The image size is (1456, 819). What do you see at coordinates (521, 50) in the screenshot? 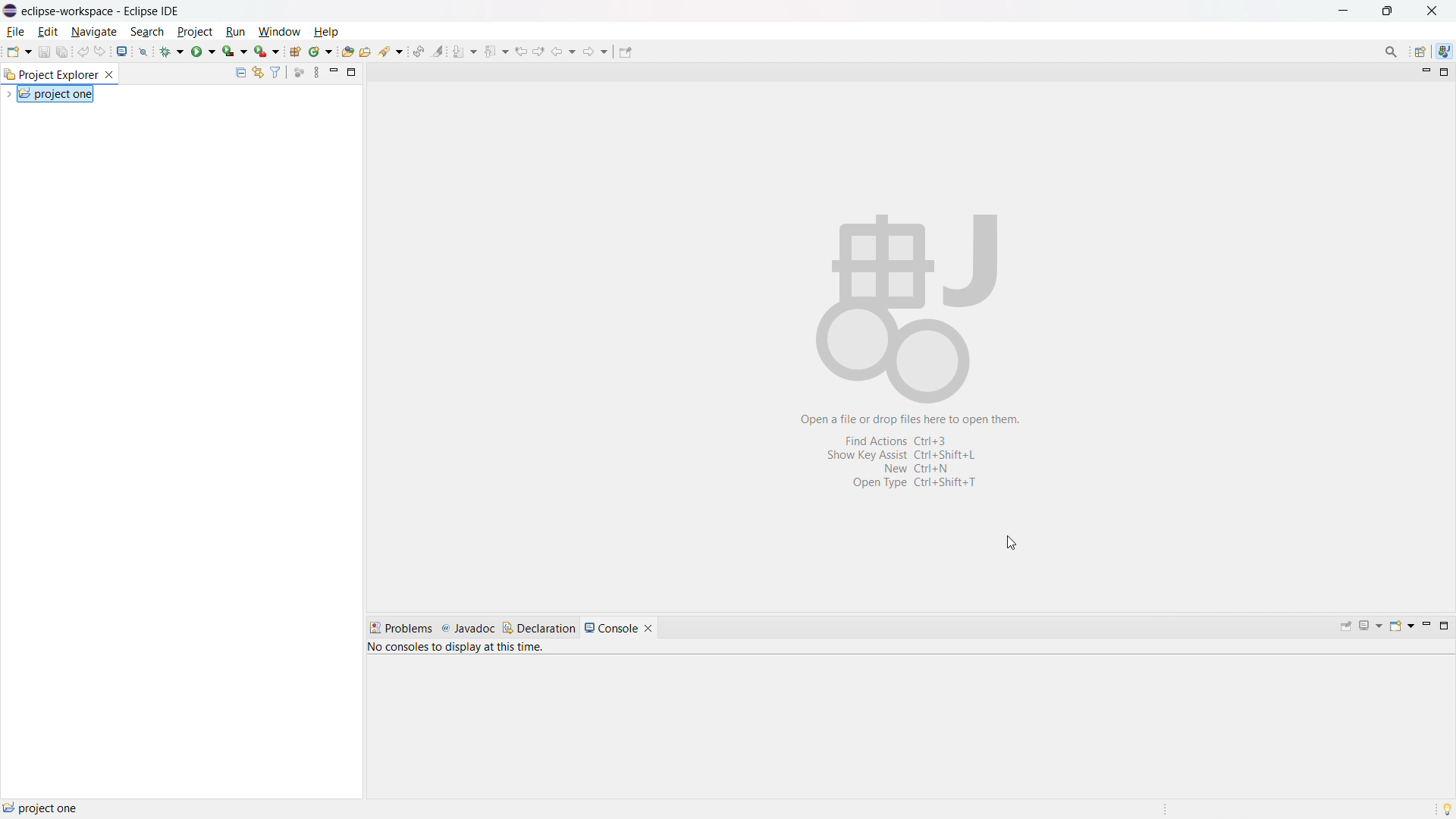
I see `view previous location` at bounding box center [521, 50].